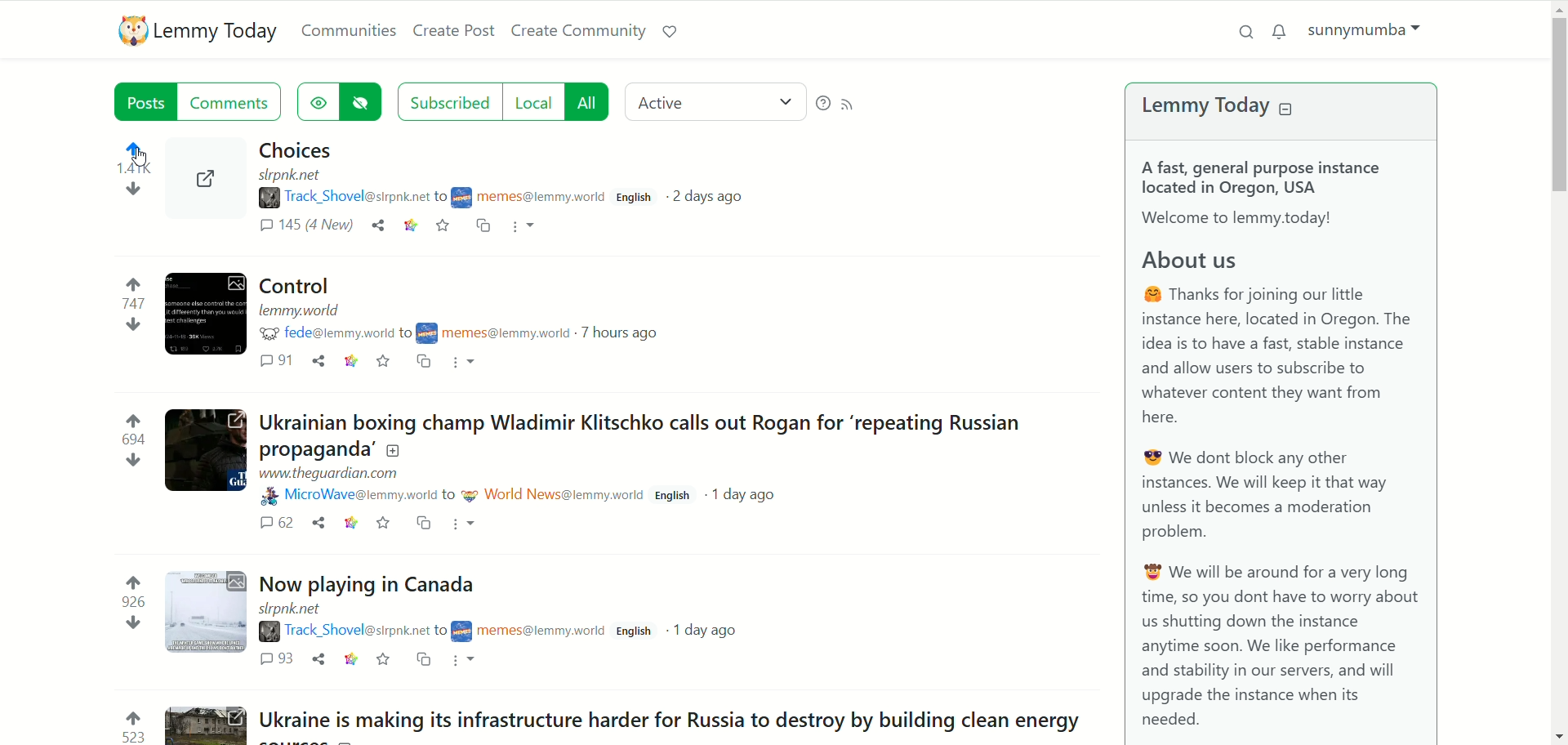 The width and height of the screenshot is (1568, 745). What do you see at coordinates (349, 32) in the screenshot?
I see `communities` at bounding box center [349, 32].